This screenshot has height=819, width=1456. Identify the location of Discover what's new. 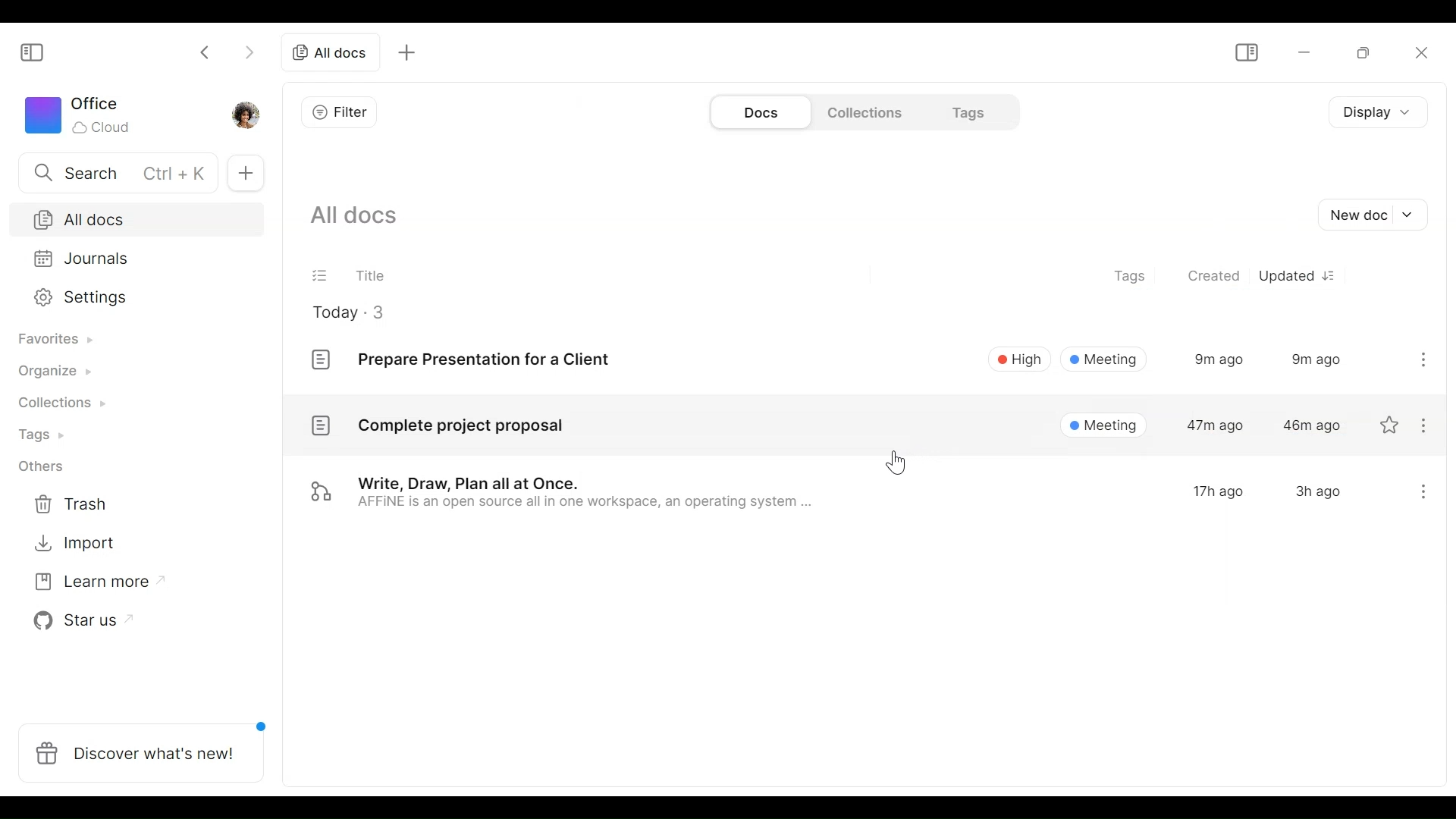
(142, 751).